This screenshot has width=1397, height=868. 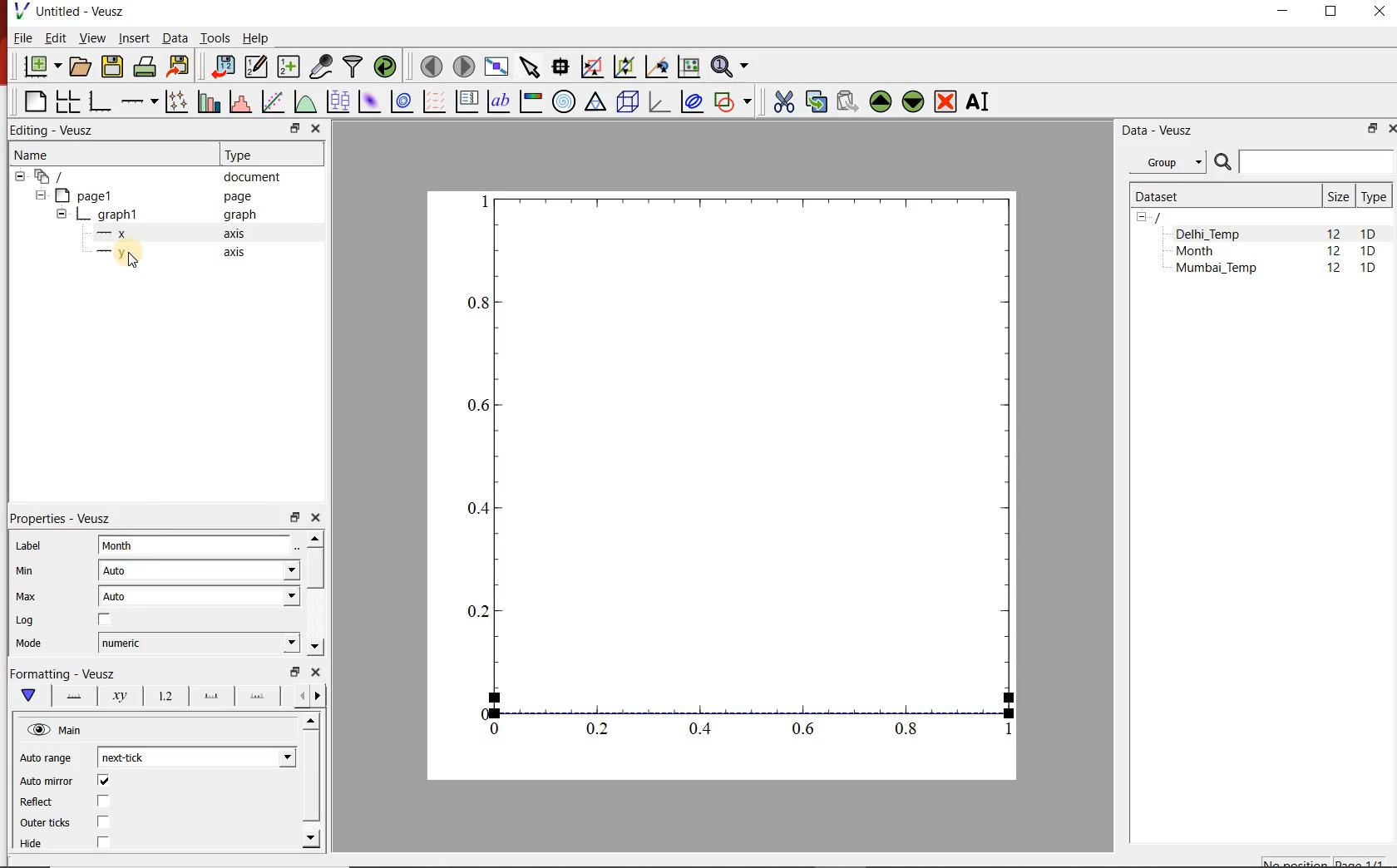 What do you see at coordinates (180, 67) in the screenshot?
I see `export to graphics format` at bounding box center [180, 67].